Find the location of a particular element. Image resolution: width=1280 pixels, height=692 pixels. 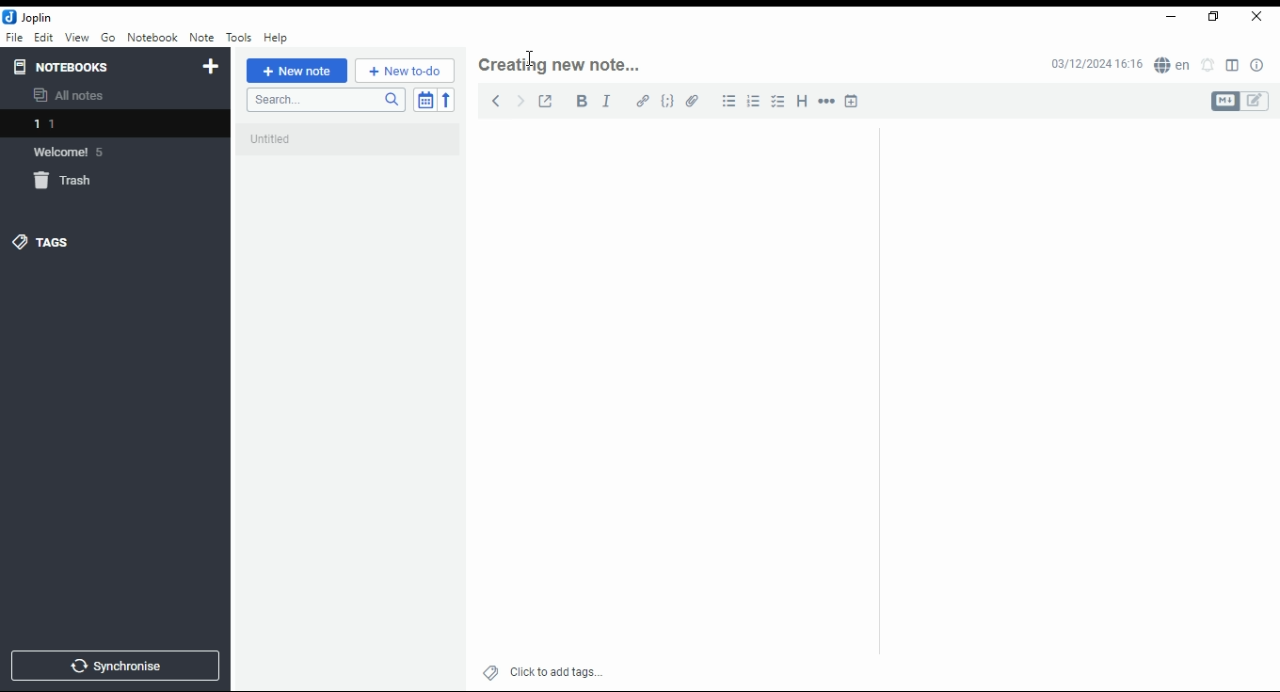

tools is located at coordinates (240, 38).